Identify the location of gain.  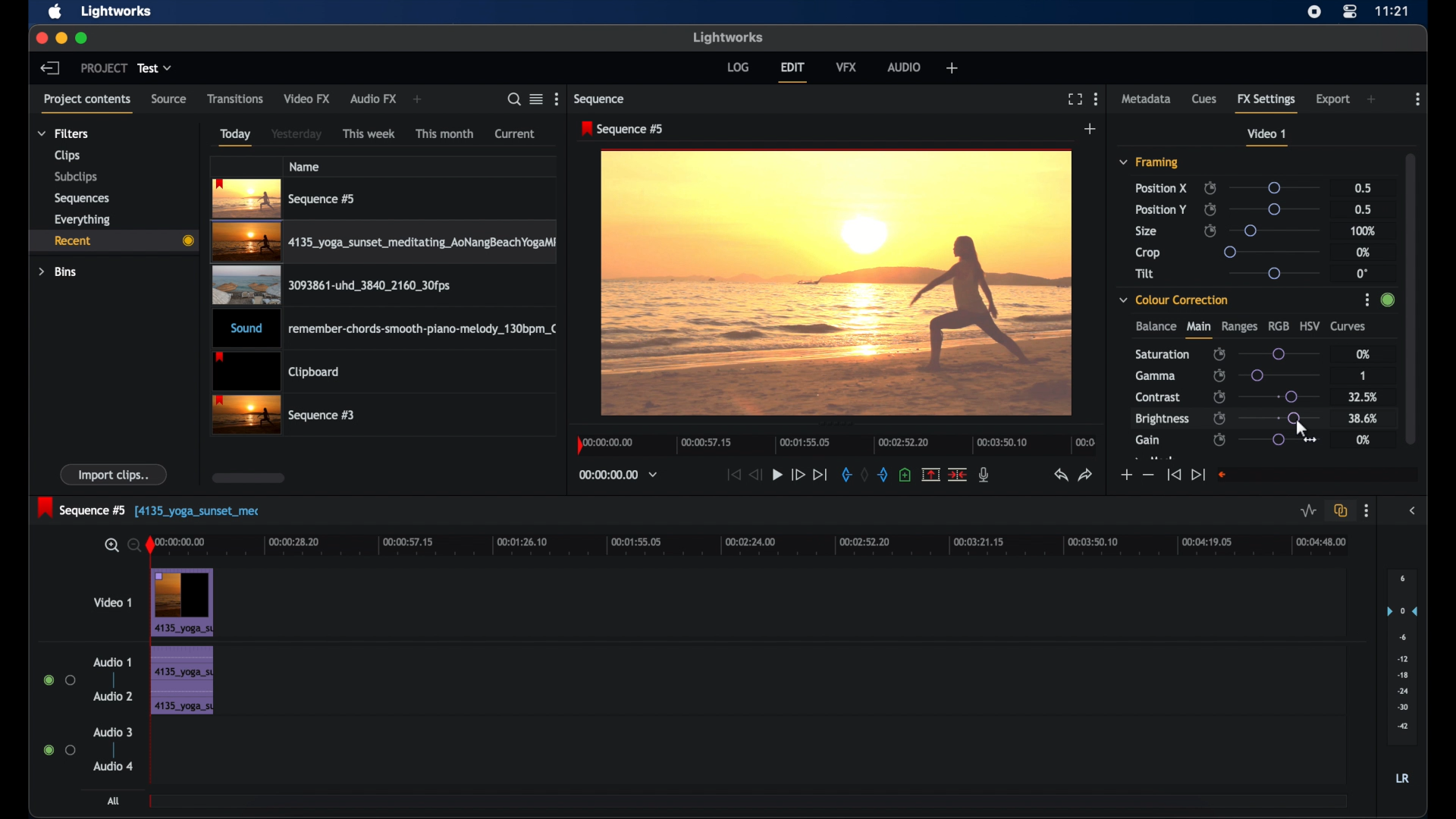
(1147, 441).